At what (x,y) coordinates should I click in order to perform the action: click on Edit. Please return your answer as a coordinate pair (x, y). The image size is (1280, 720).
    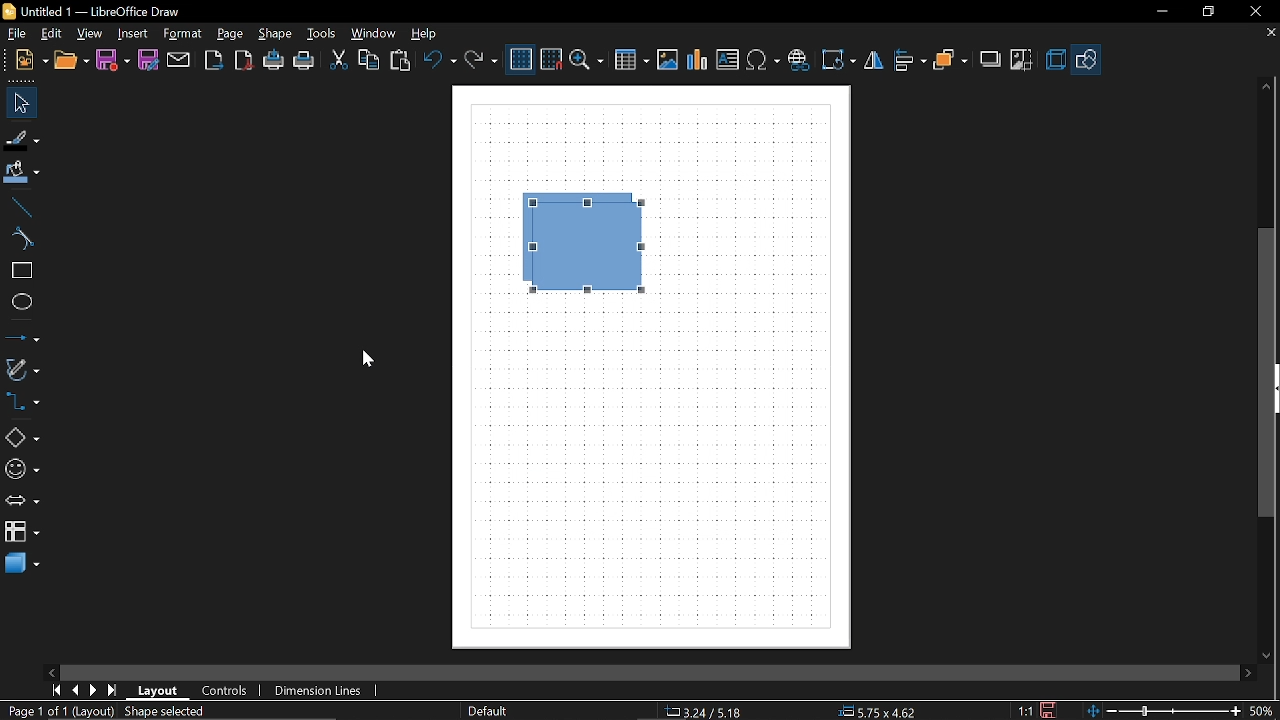
    Looking at the image, I should click on (50, 33).